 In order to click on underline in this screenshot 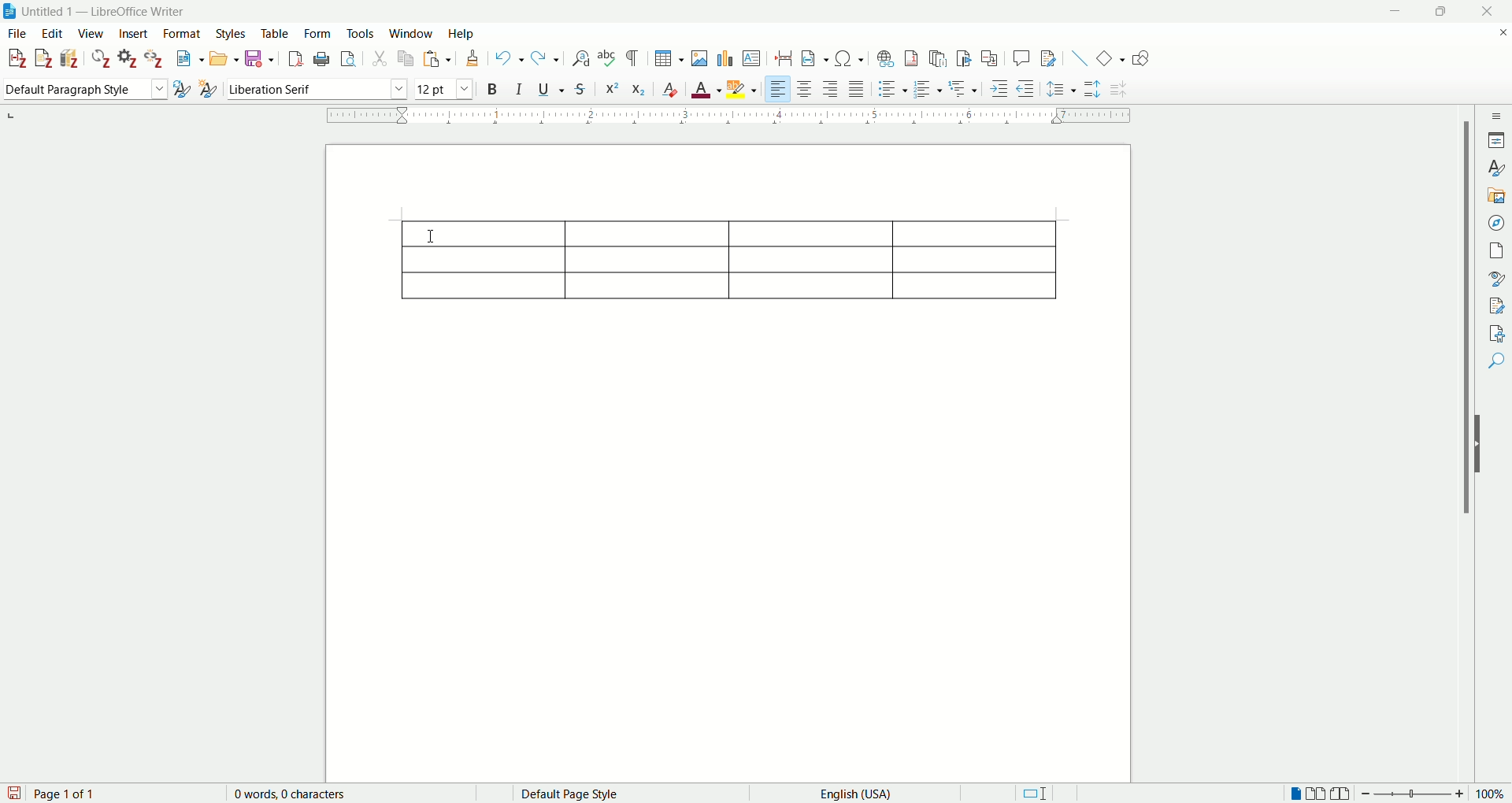, I will do `click(552, 92)`.